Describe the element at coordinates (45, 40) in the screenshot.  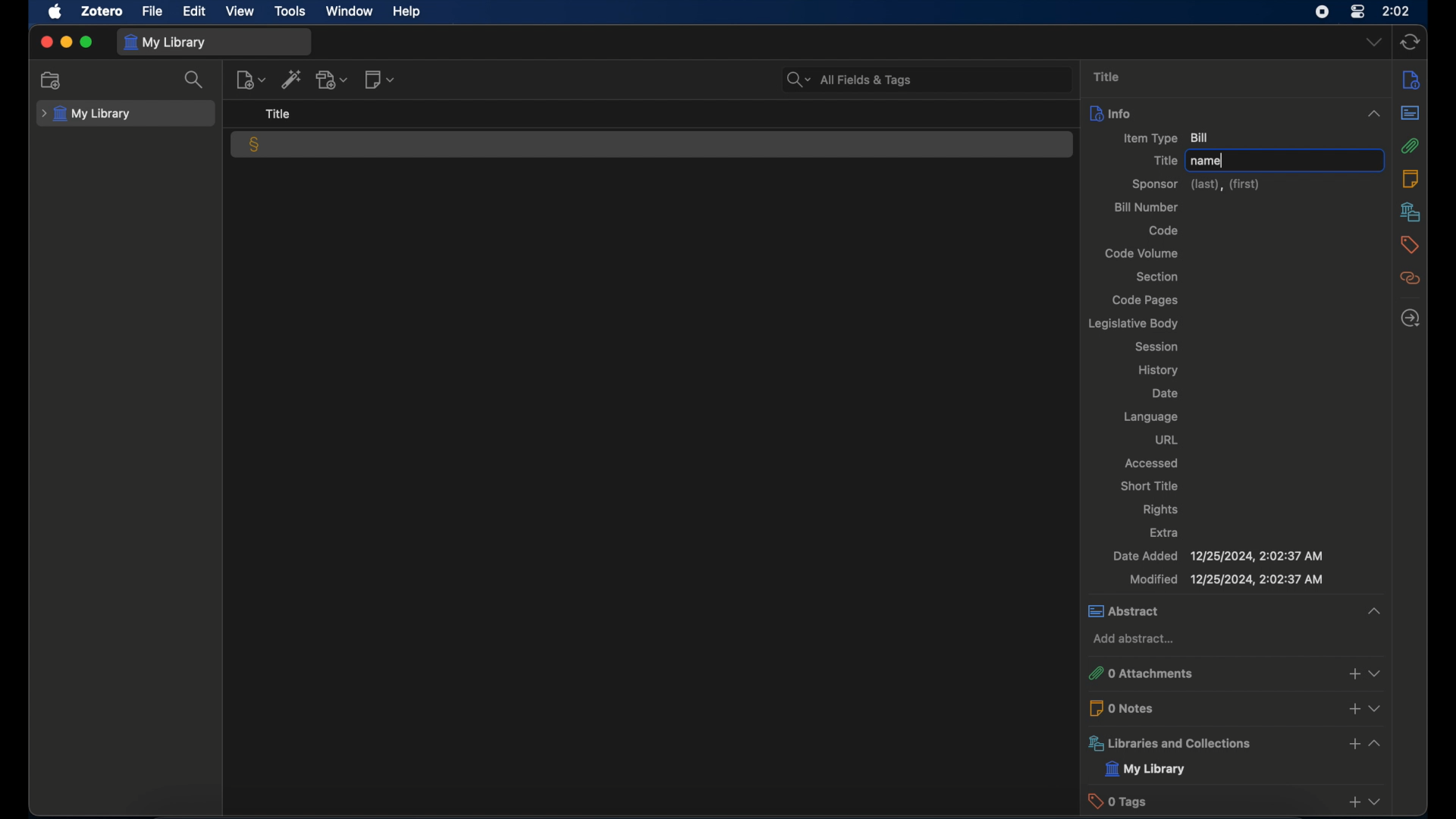
I see `close` at that location.